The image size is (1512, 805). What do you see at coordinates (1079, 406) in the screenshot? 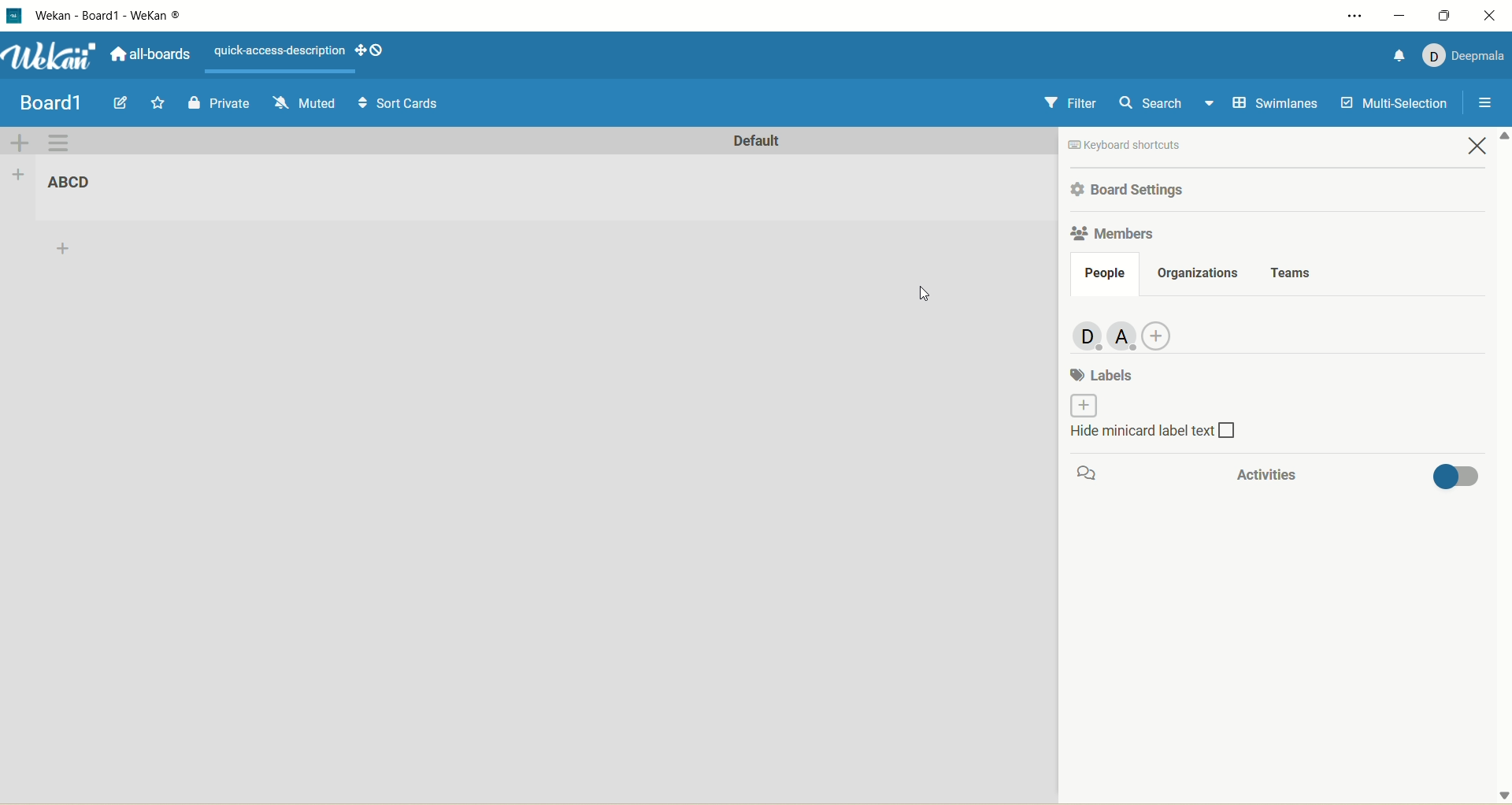
I see `add` at bounding box center [1079, 406].